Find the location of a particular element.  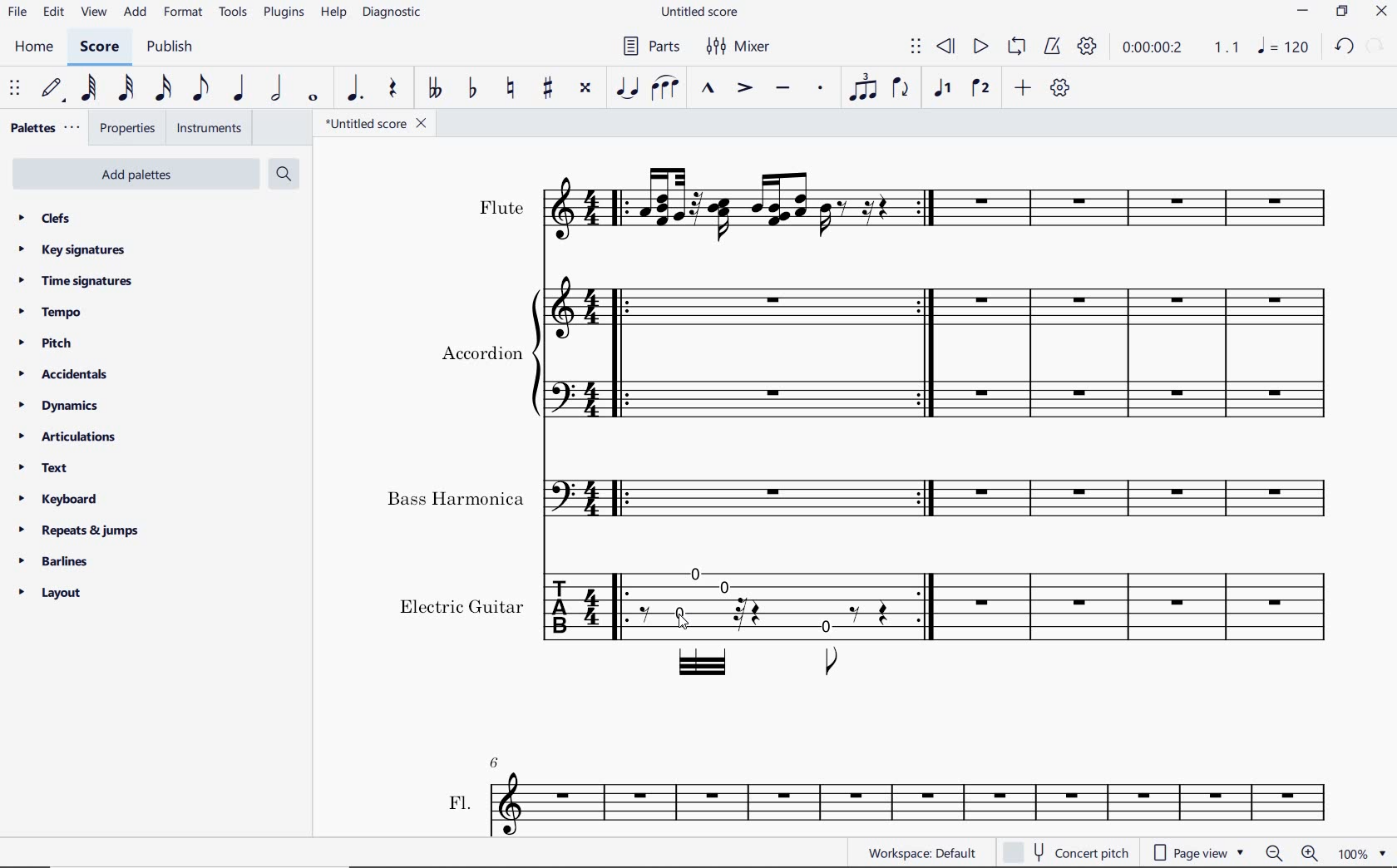

plugins is located at coordinates (282, 13).